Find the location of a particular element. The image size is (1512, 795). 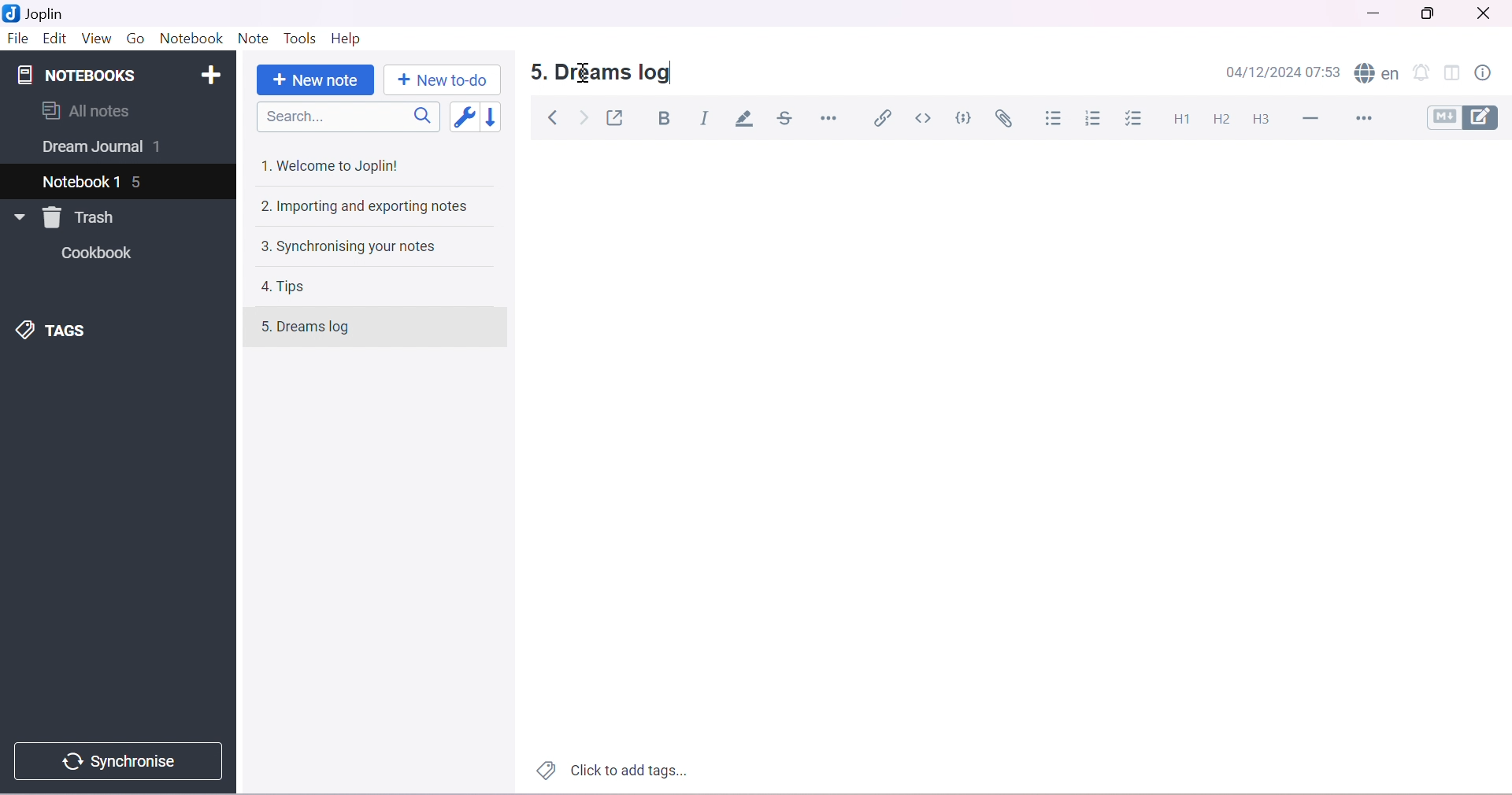

Joplin is located at coordinates (39, 13).